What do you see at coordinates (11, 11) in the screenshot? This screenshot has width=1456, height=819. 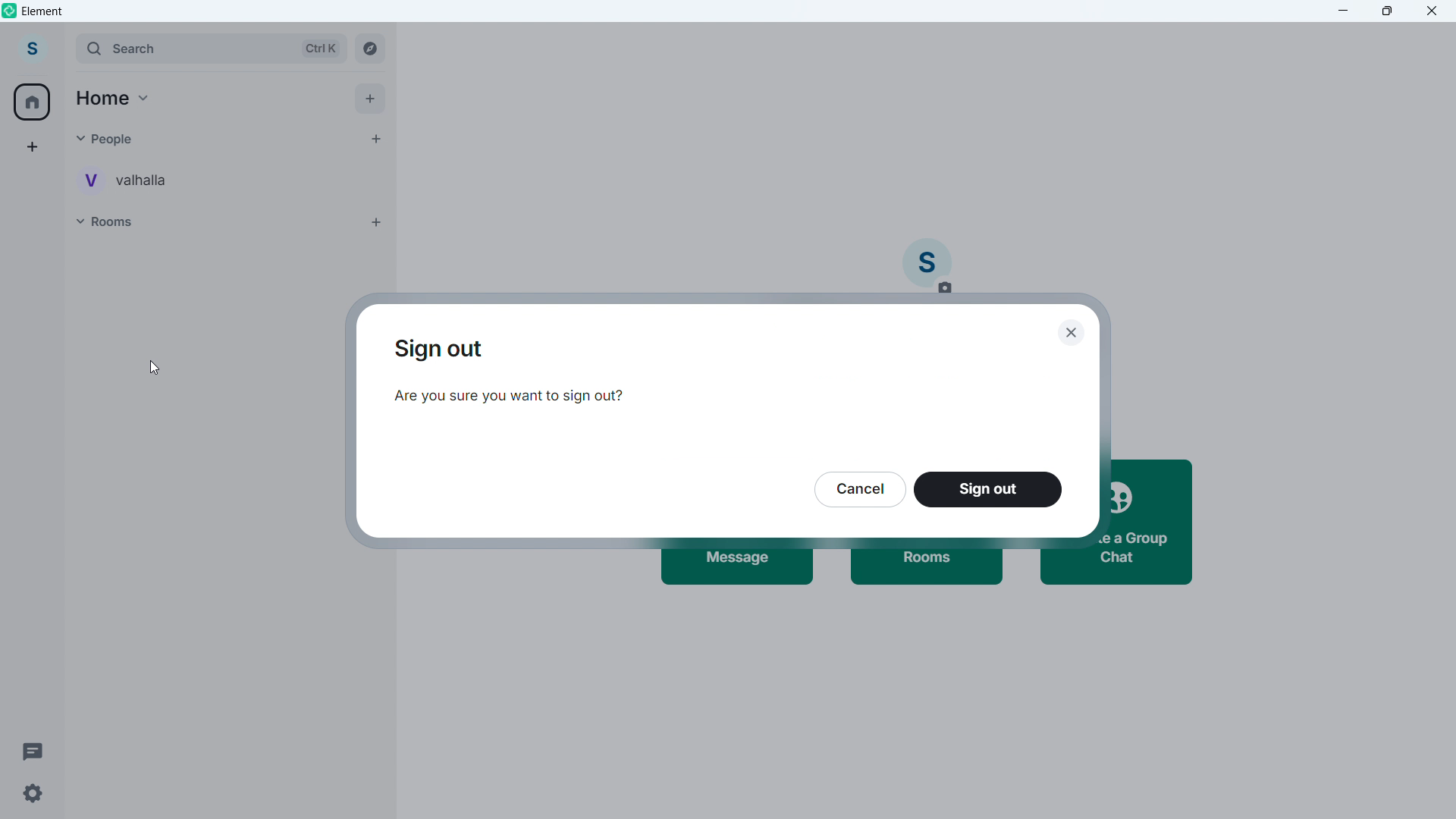 I see `element logo` at bounding box center [11, 11].